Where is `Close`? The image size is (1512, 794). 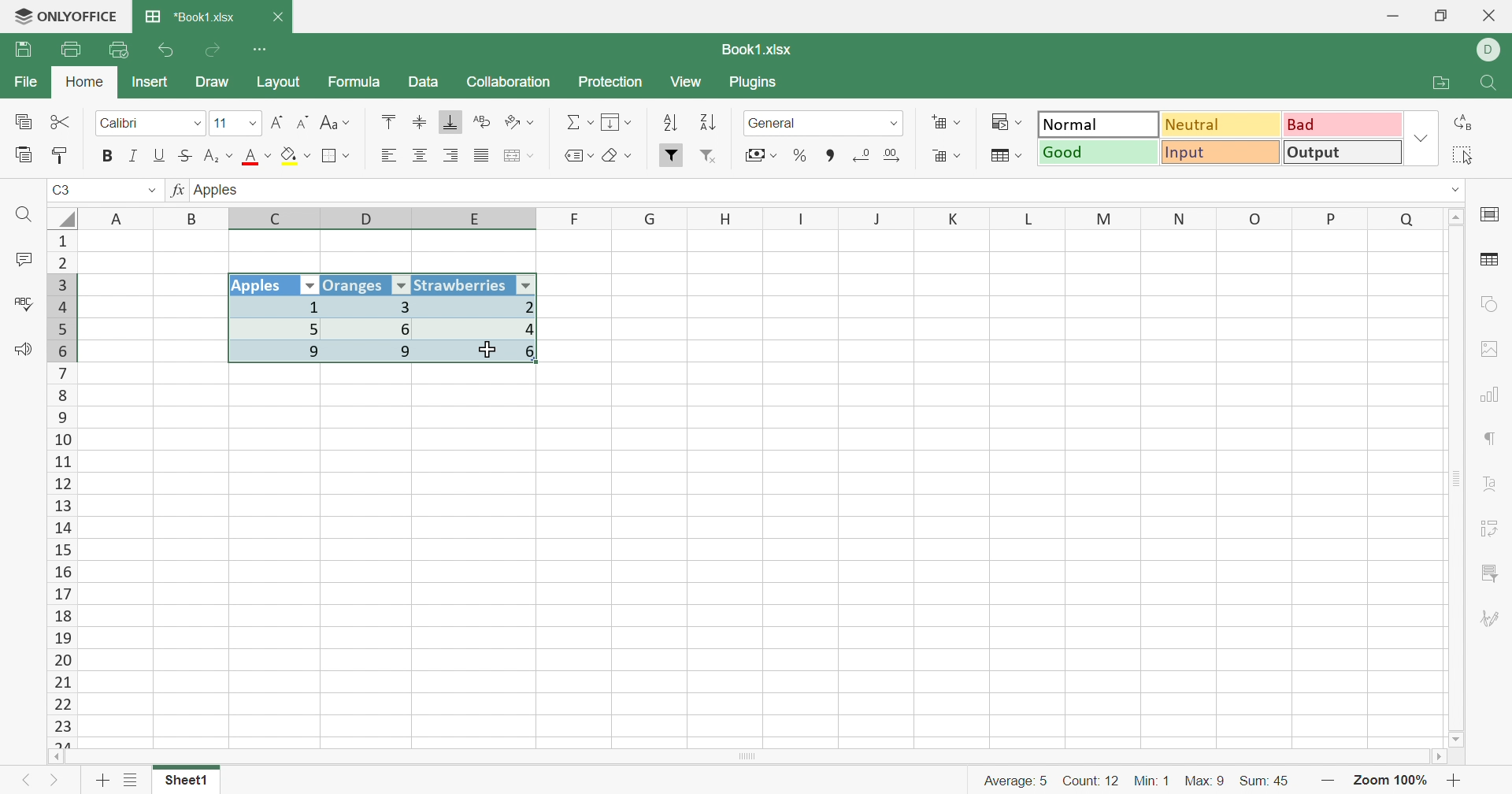
Close is located at coordinates (1490, 17).